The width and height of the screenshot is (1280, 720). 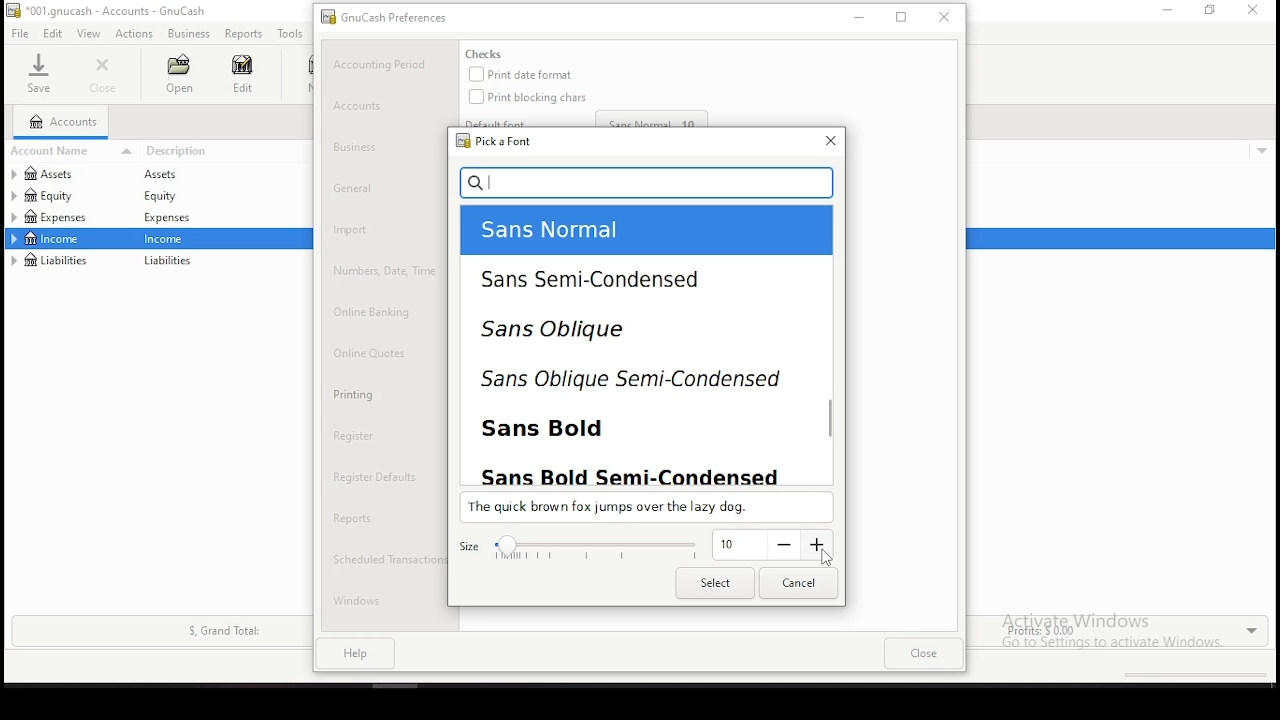 What do you see at coordinates (54, 33) in the screenshot?
I see `edits` at bounding box center [54, 33].